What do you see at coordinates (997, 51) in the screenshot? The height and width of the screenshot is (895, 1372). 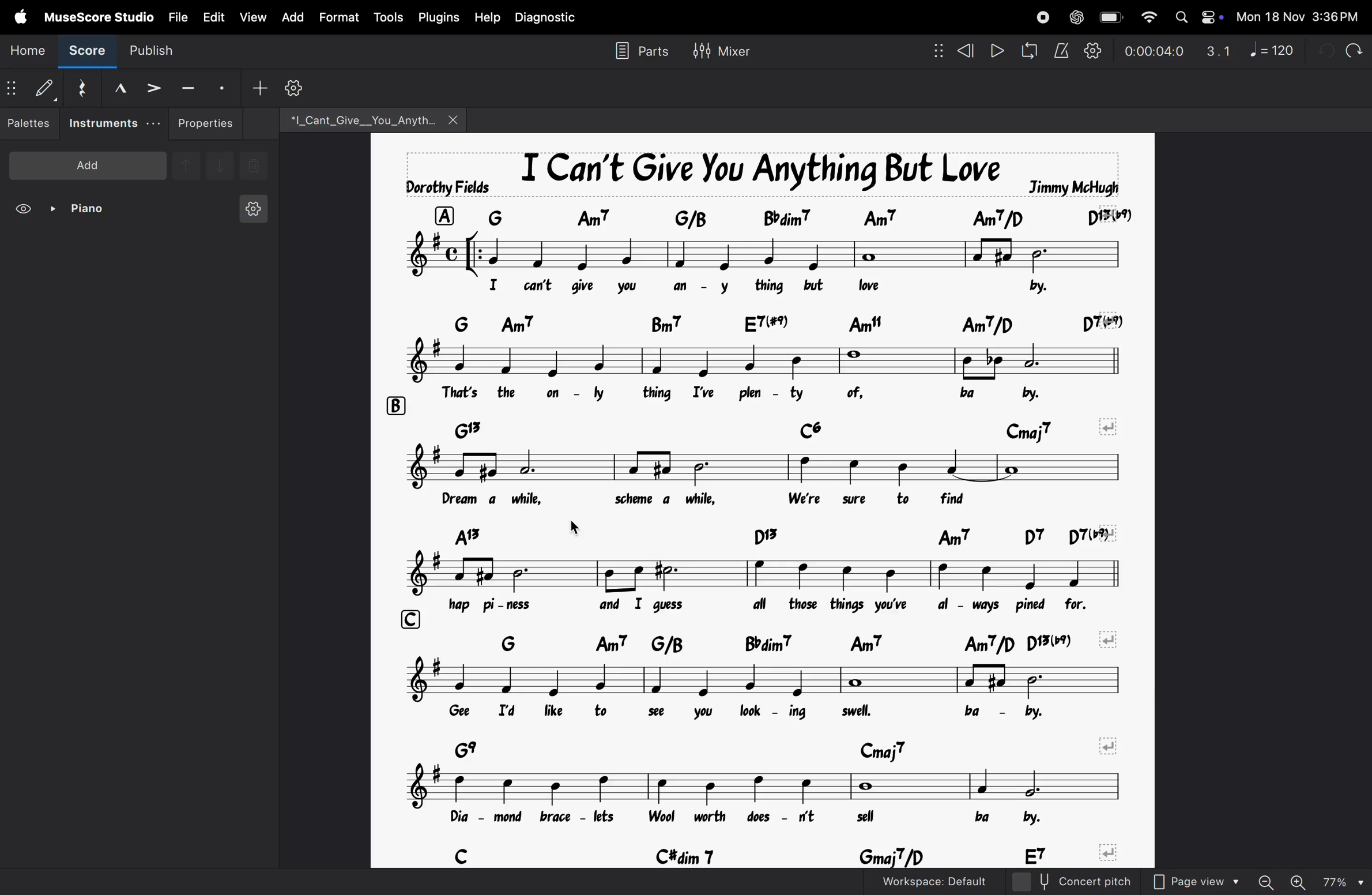 I see `play` at bounding box center [997, 51].